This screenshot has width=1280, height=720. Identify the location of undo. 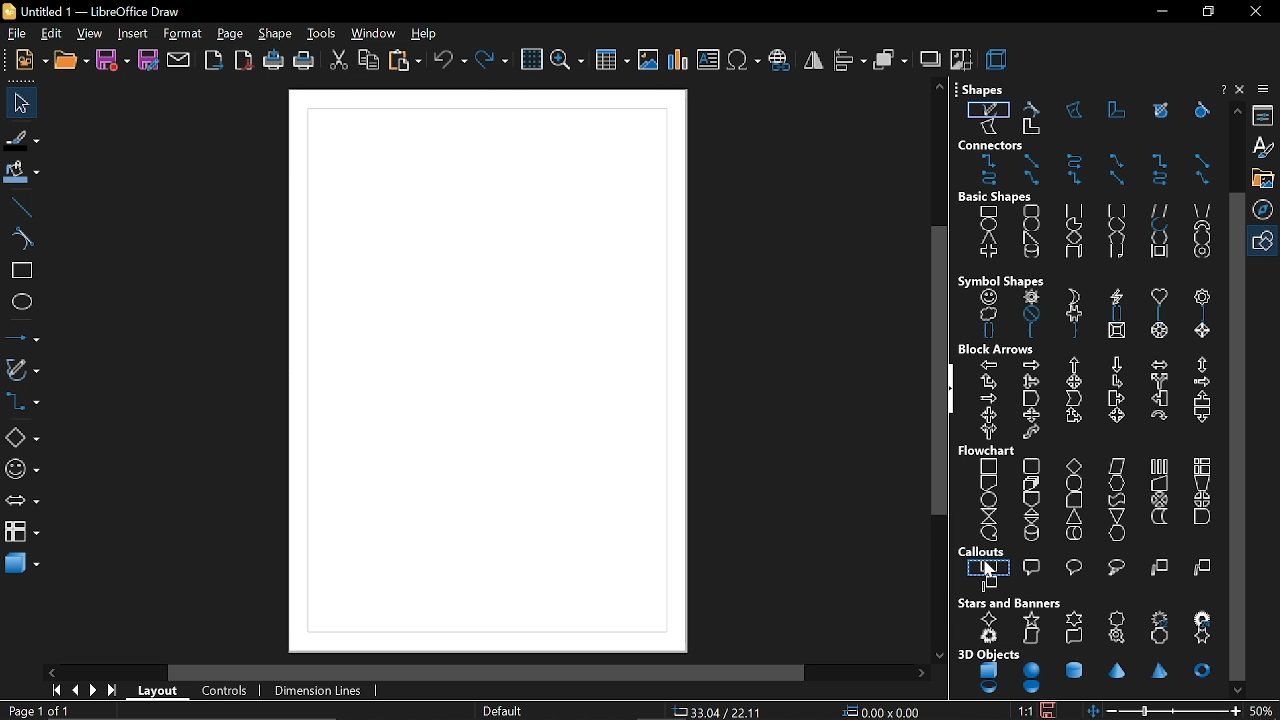
(450, 61).